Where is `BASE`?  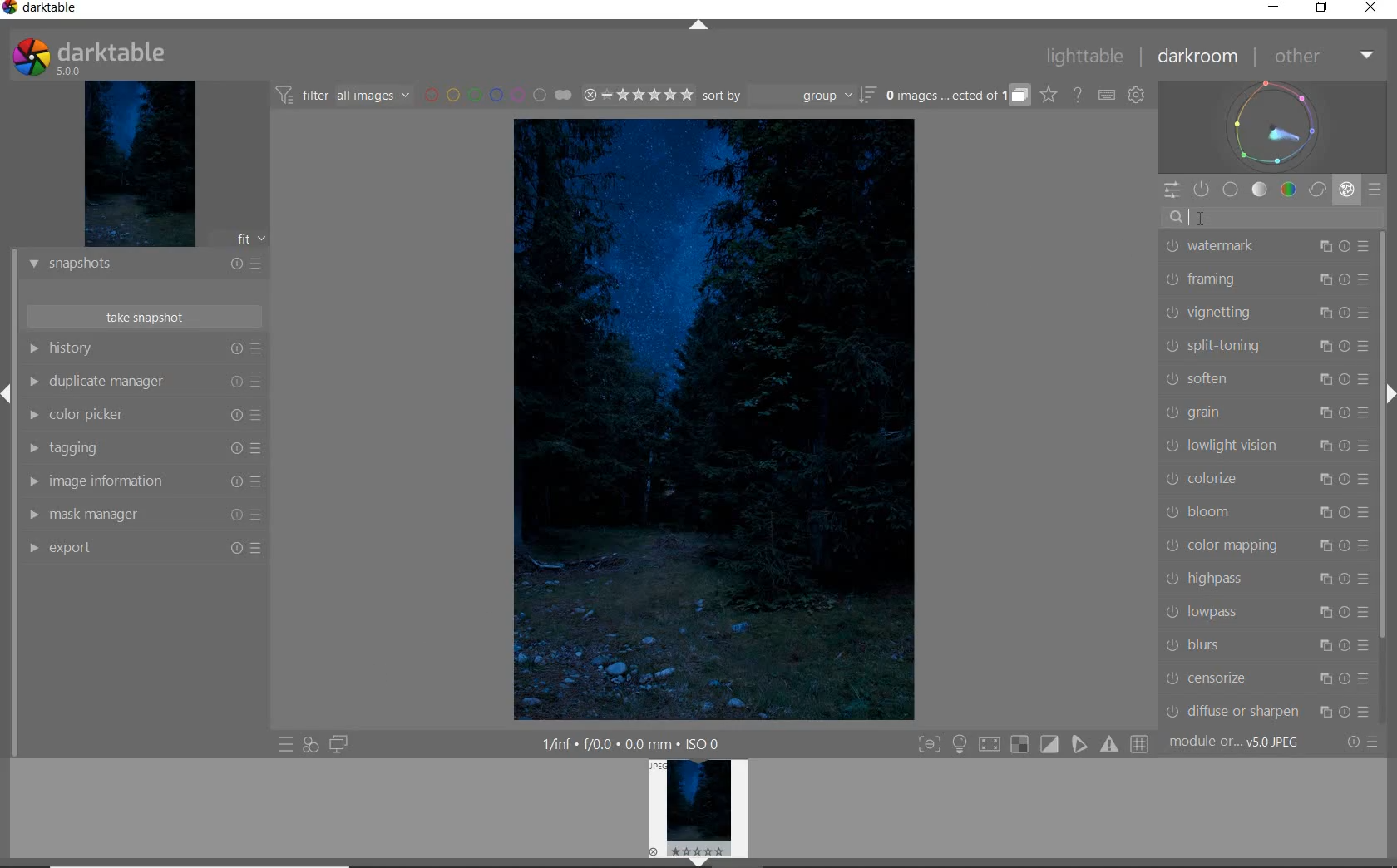 BASE is located at coordinates (1231, 189).